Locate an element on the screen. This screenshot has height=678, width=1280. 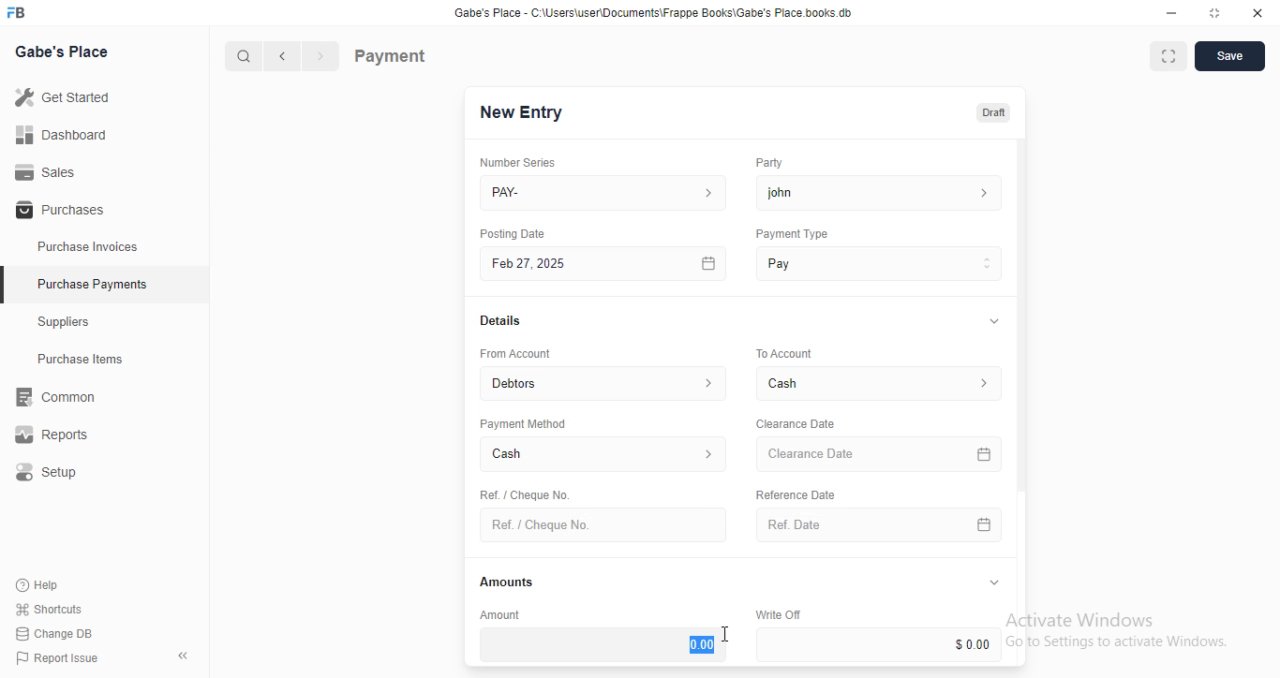
Payment Type is located at coordinates (790, 234).